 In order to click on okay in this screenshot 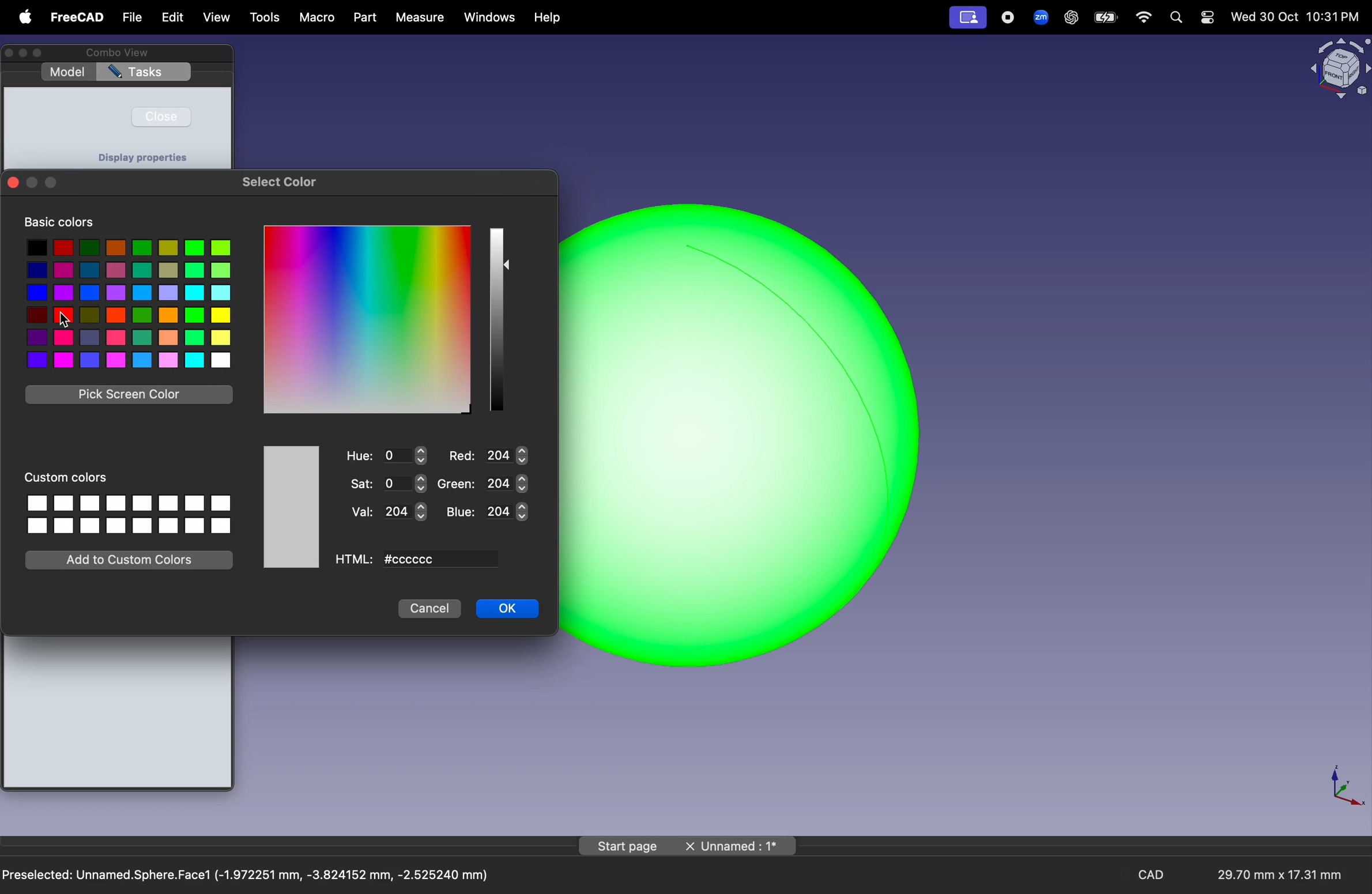, I will do `click(508, 609)`.